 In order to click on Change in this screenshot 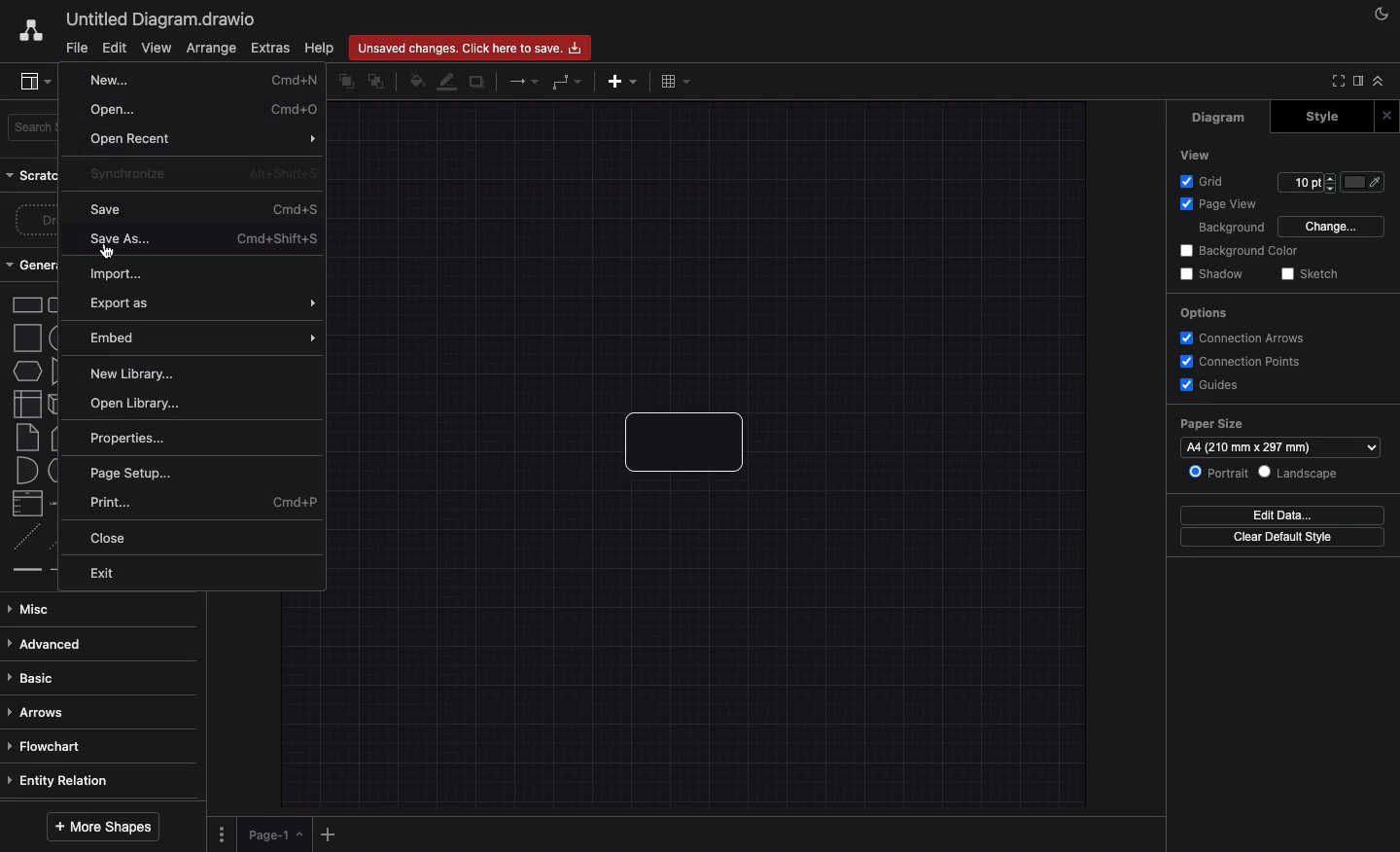, I will do `click(1331, 225)`.